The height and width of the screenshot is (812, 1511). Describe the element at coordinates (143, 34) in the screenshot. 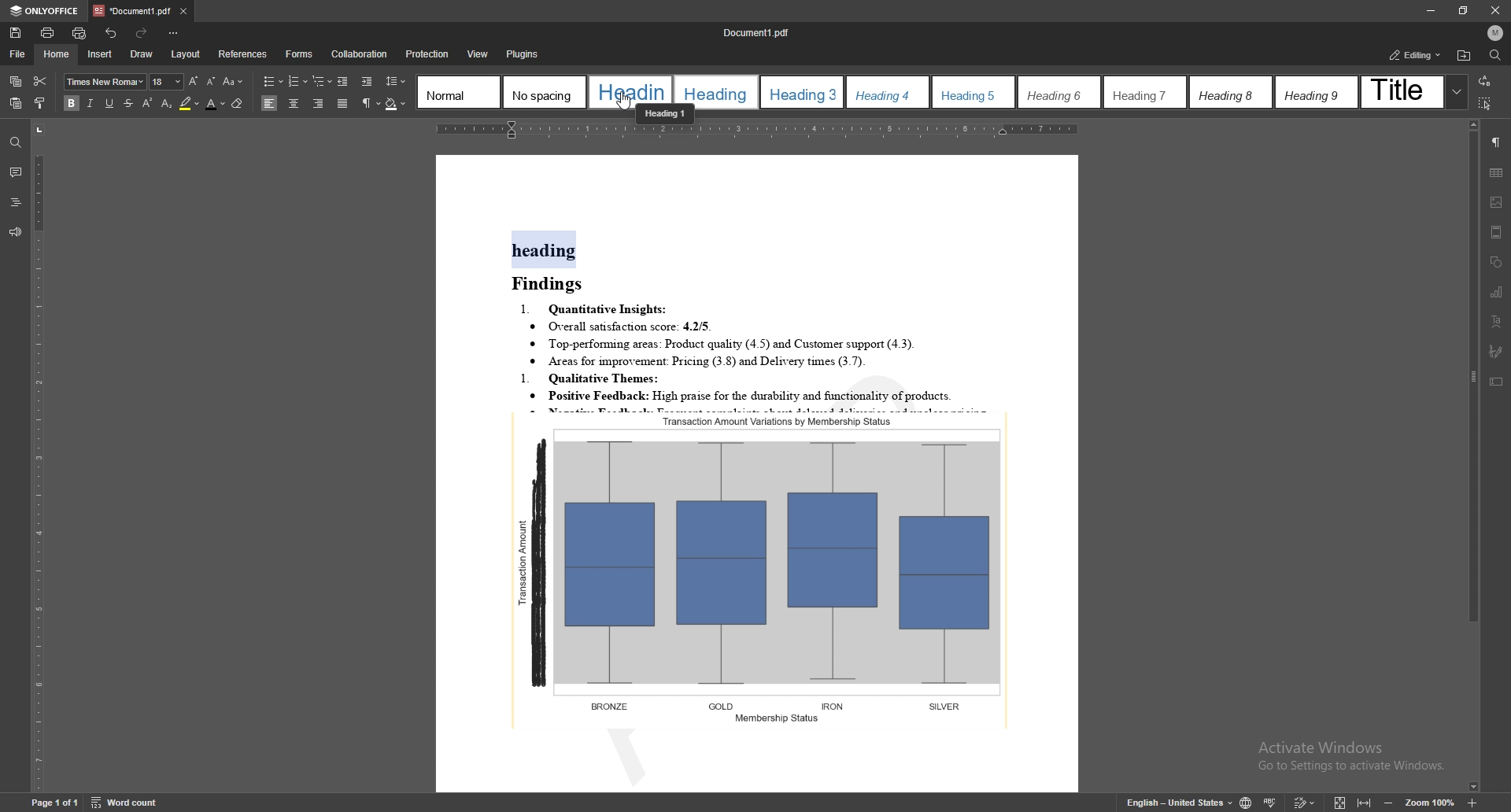

I see `redo` at that location.